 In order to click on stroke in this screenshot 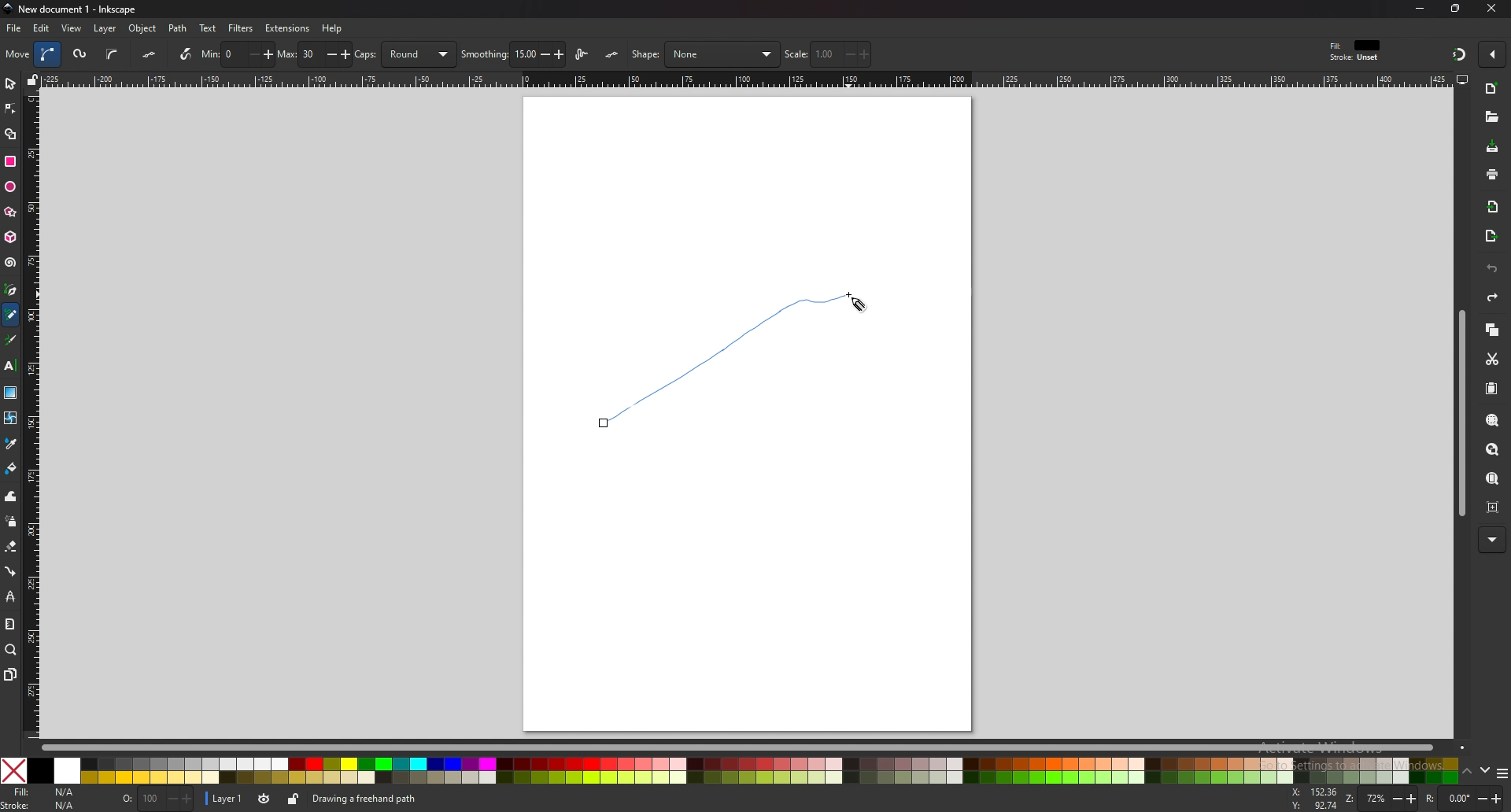, I will do `click(42, 806)`.